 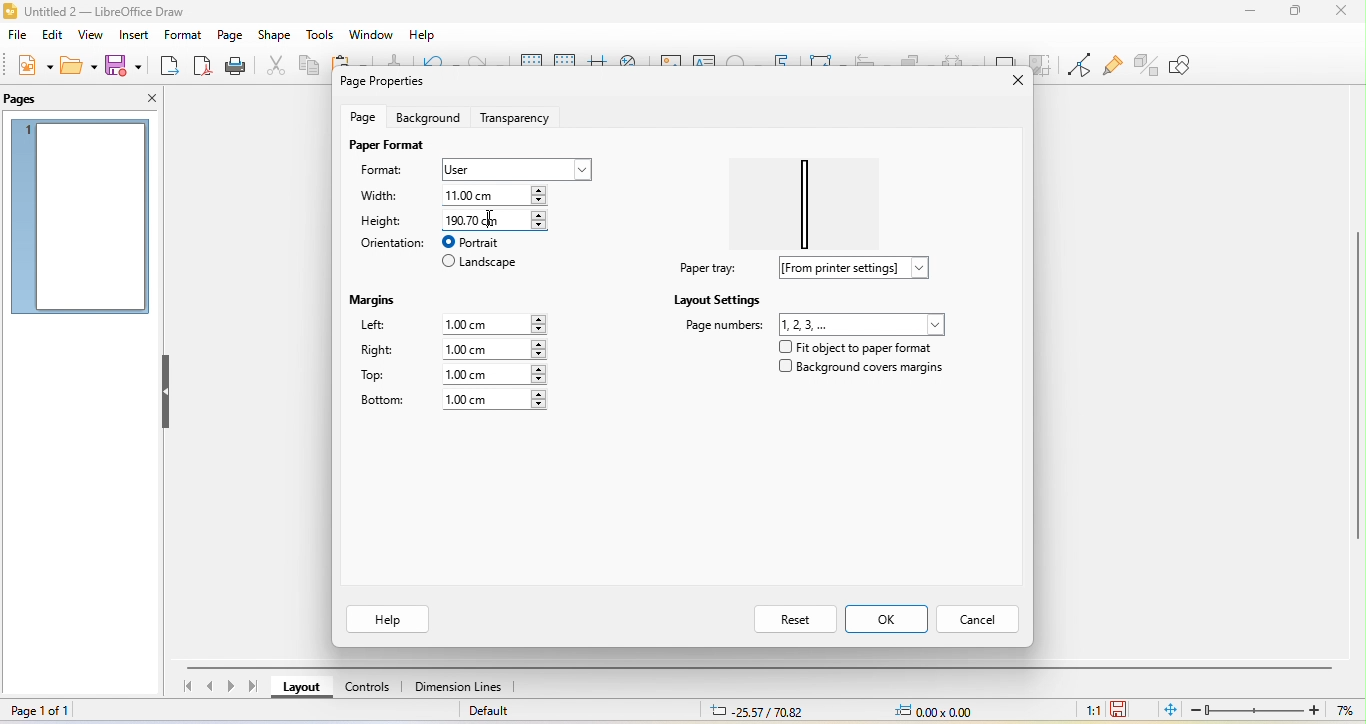 I want to click on 1:1, so click(x=1089, y=709).